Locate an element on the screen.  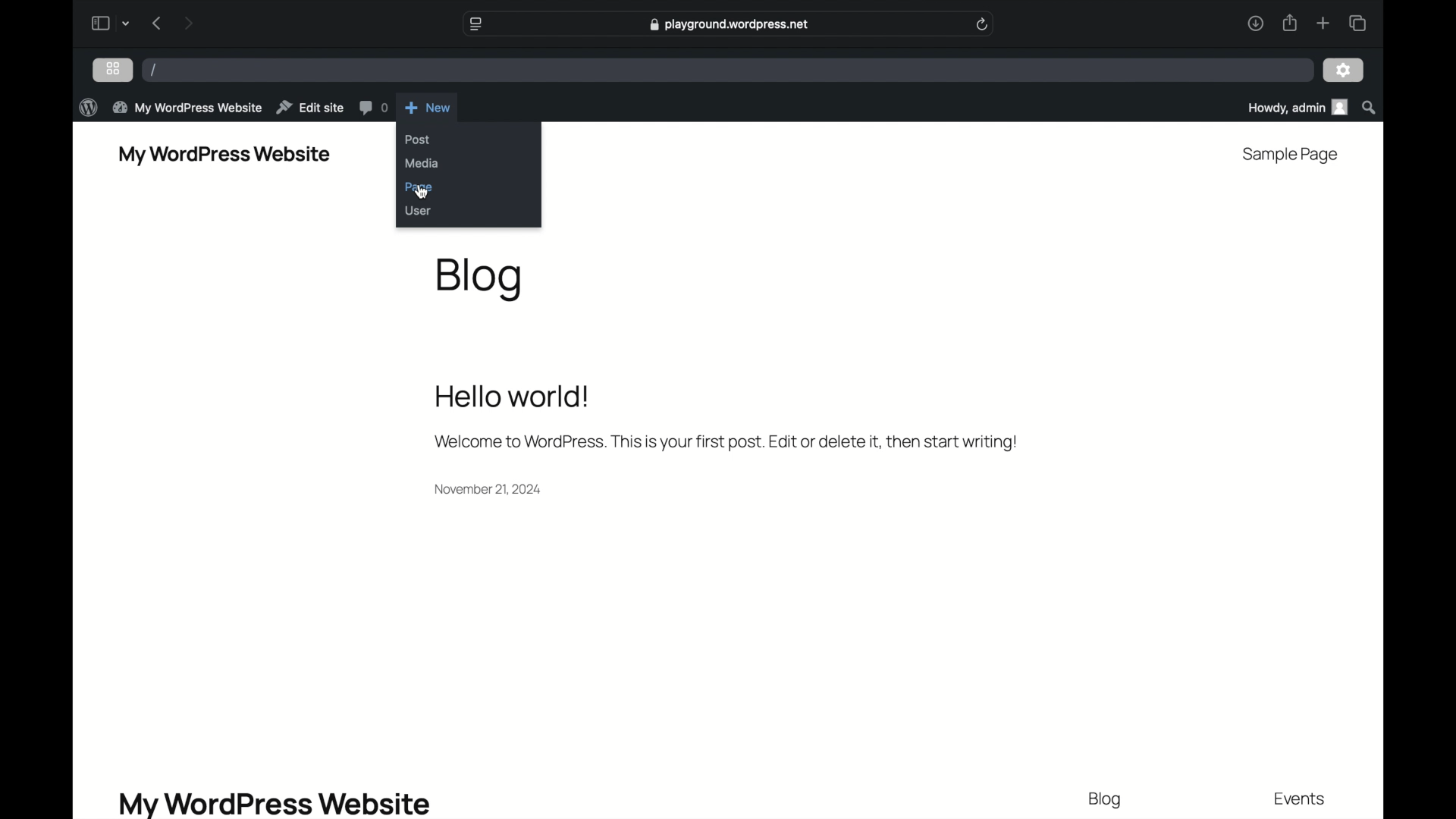
edit site is located at coordinates (311, 108).